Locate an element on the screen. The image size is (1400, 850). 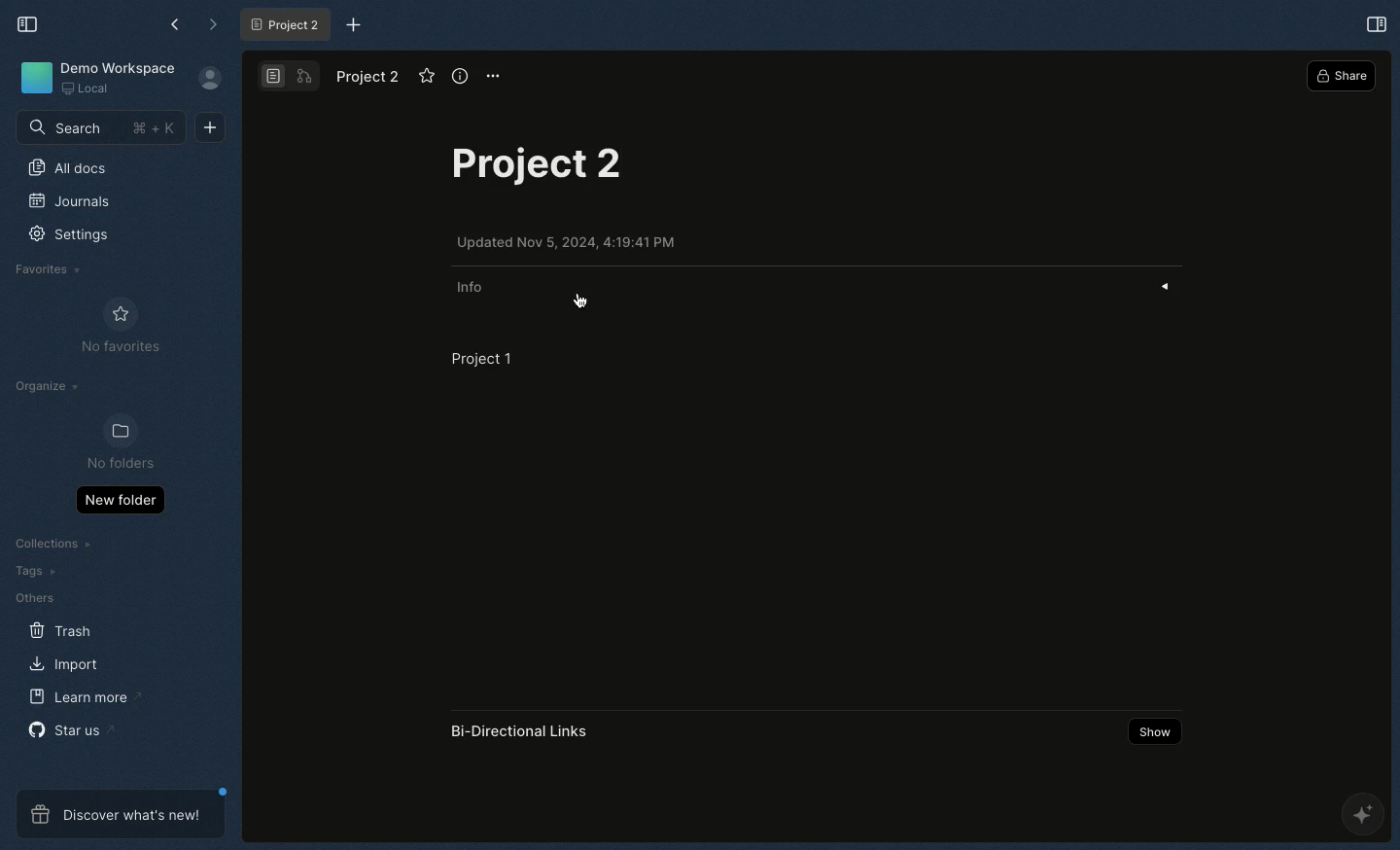
Selection is located at coordinates (1376, 24).